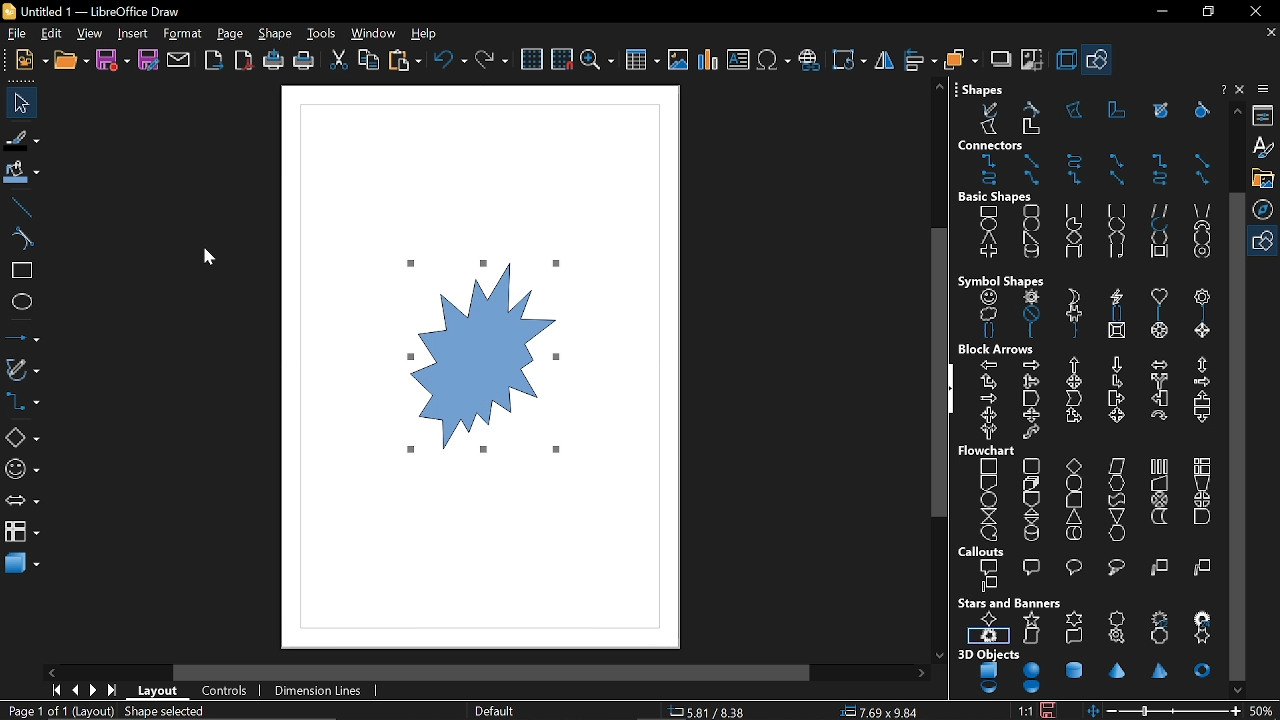 The height and width of the screenshot is (720, 1280). What do you see at coordinates (96, 691) in the screenshot?
I see `next page` at bounding box center [96, 691].